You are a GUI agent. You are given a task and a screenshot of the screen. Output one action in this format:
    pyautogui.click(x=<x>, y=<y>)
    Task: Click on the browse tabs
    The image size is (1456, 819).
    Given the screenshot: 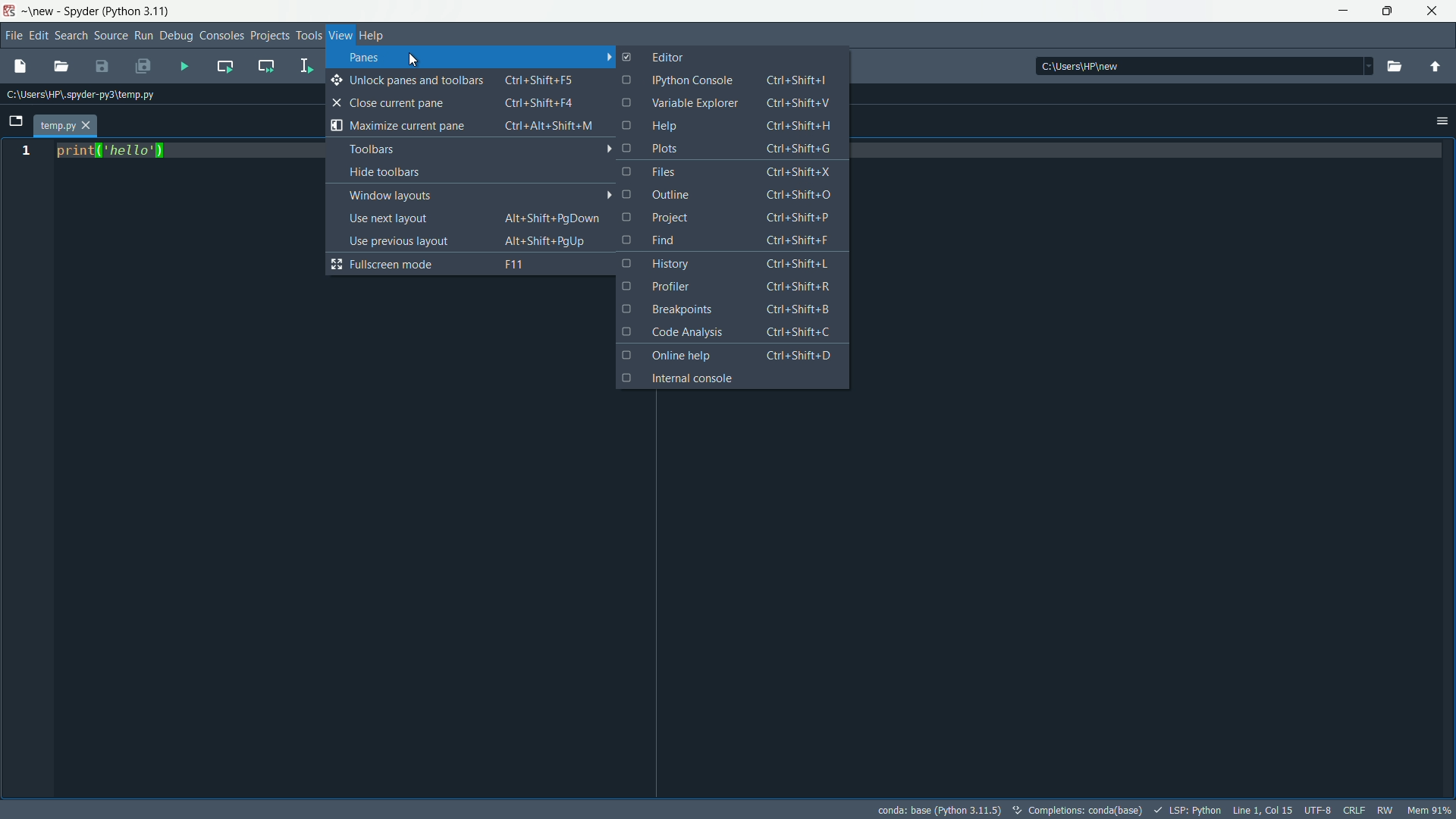 What is the action you would take?
    pyautogui.click(x=17, y=121)
    